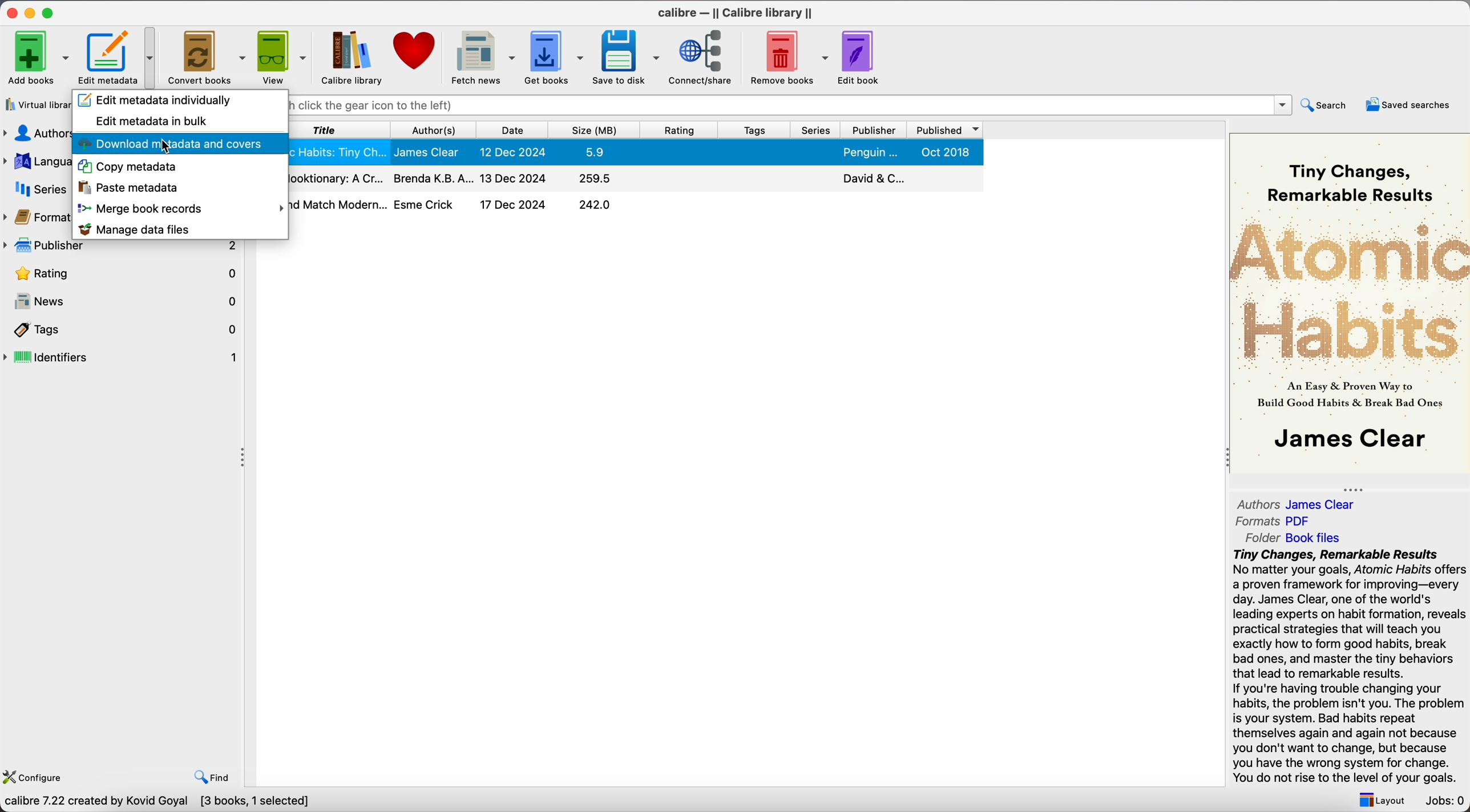  What do you see at coordinates (1299, 503) in the screenshot?
I see `Authors James Clear` at bounding box center [1299, 503].